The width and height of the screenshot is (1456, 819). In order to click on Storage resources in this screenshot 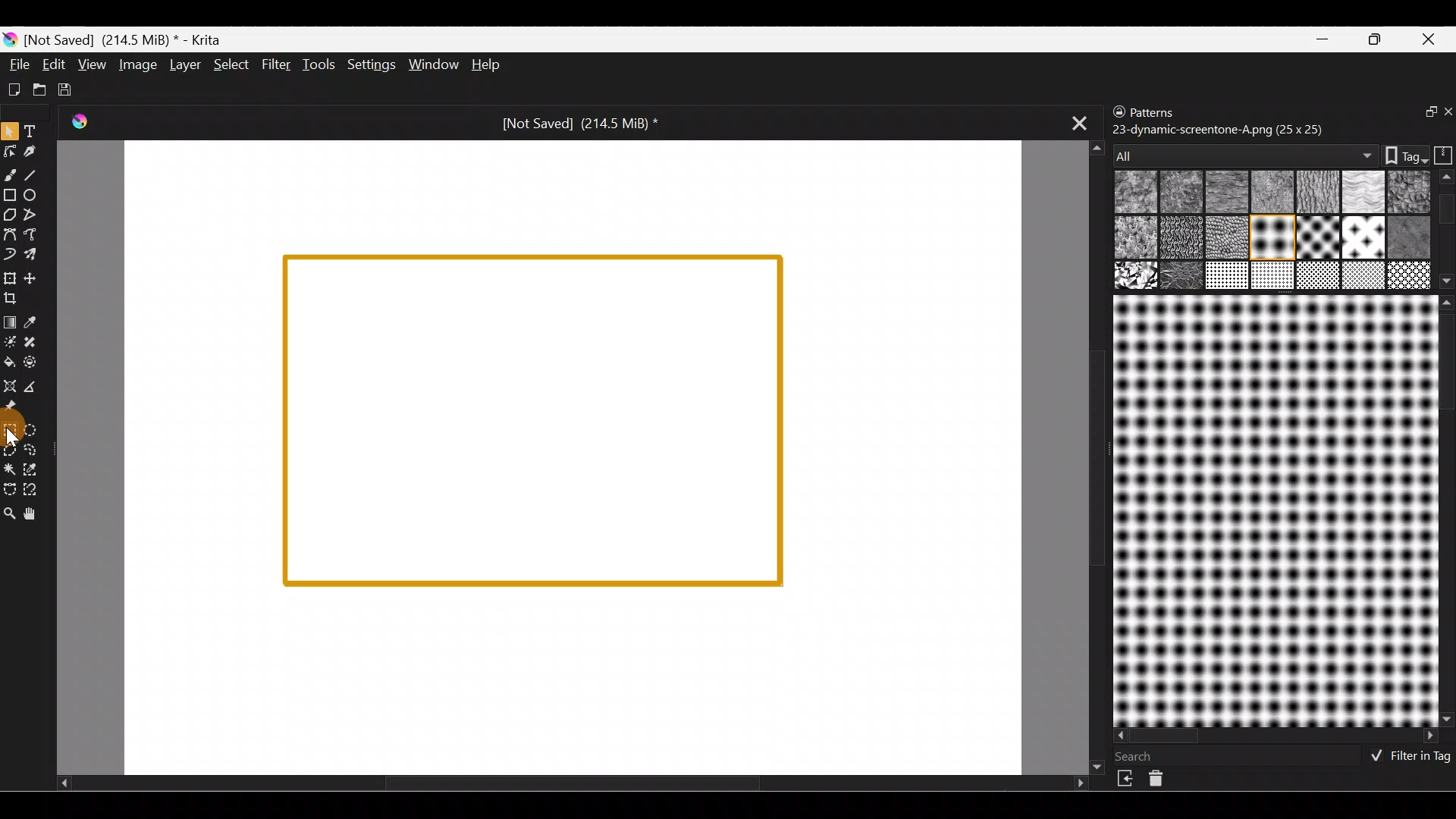, I will do `click(1441, 154)`.